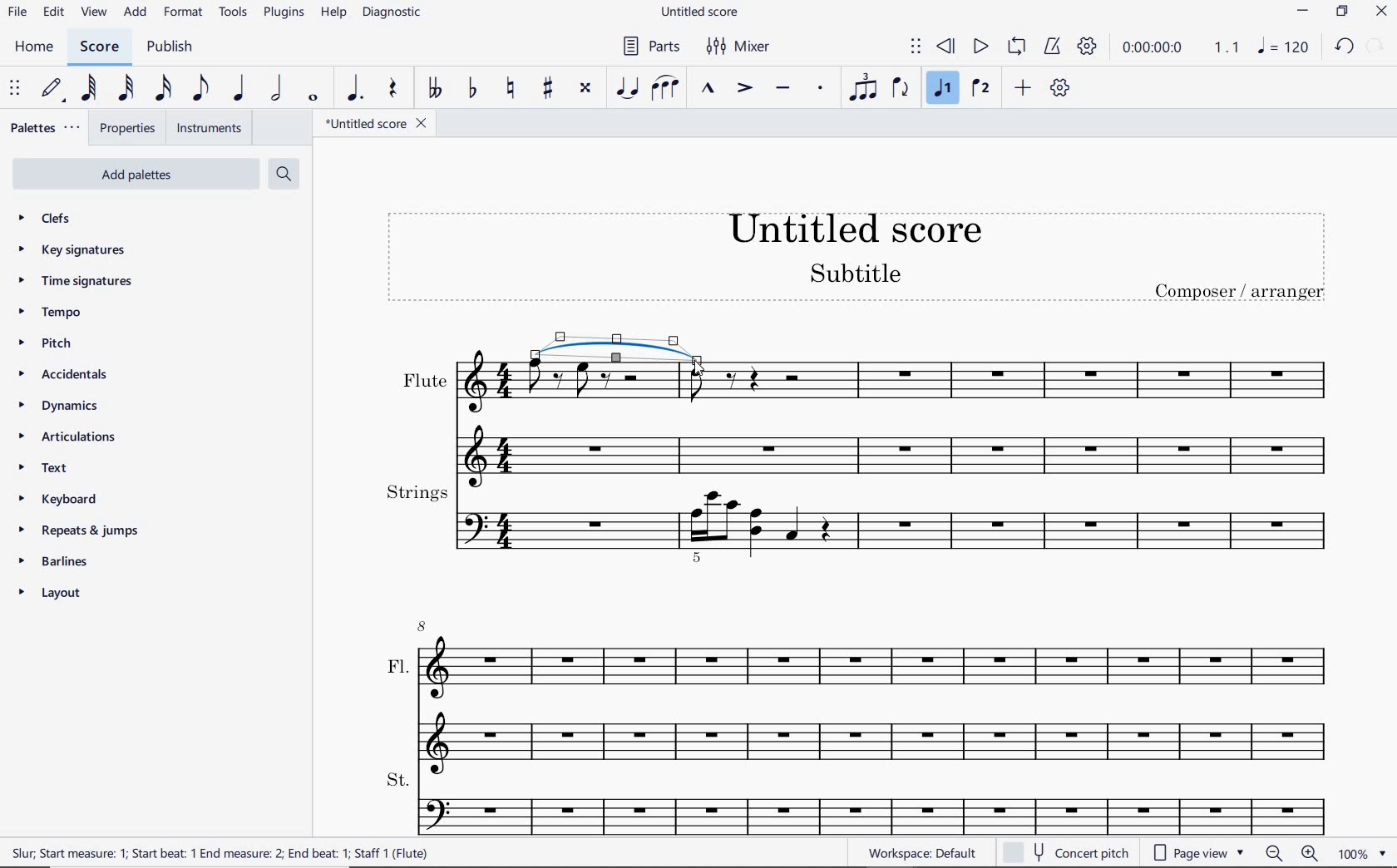  Describe the element at coordinates (243, 88) in the screenshot. I see `QUARTER NOTE` at that location.